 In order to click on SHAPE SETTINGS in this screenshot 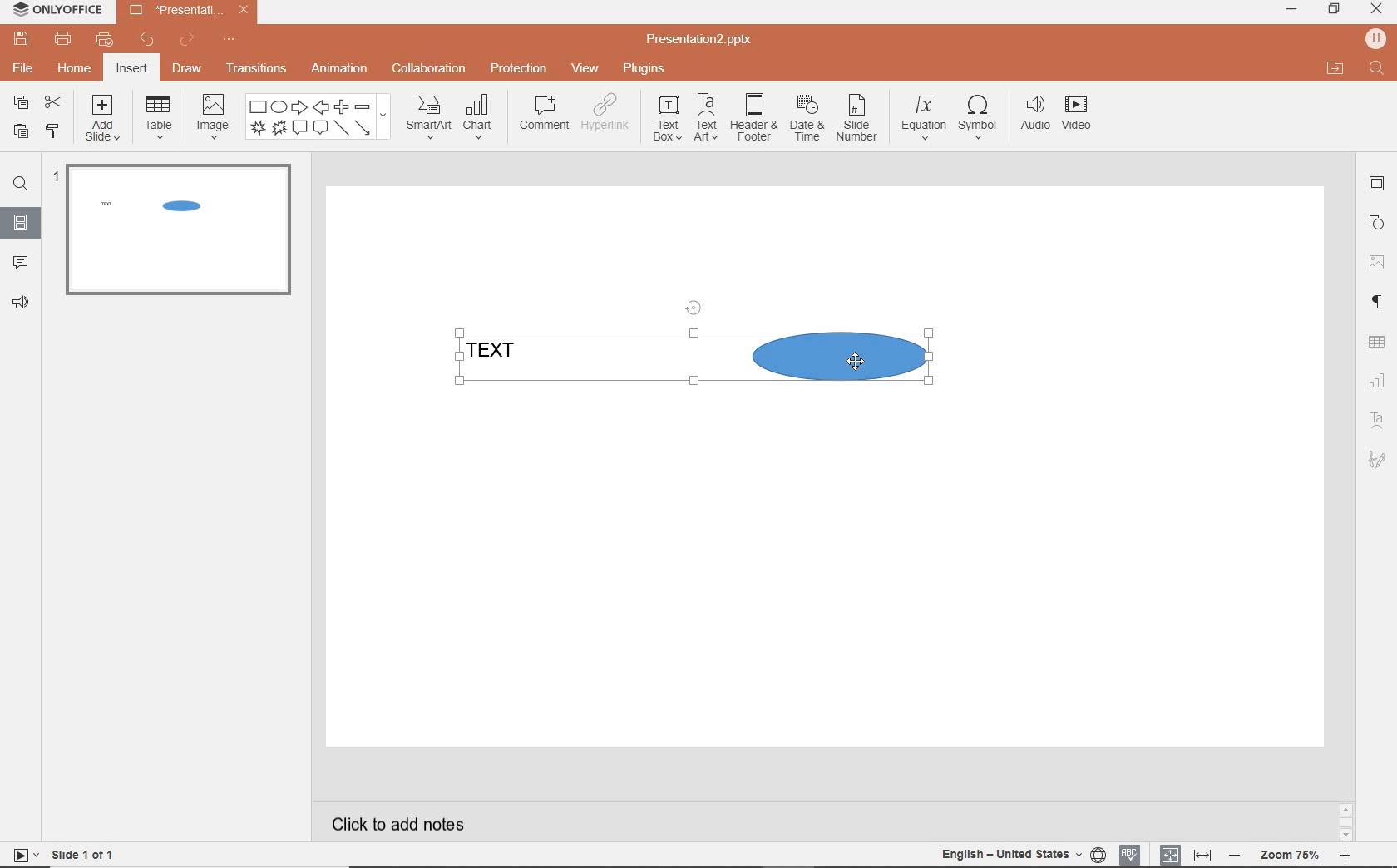, I will do `click(1378, 220)`.